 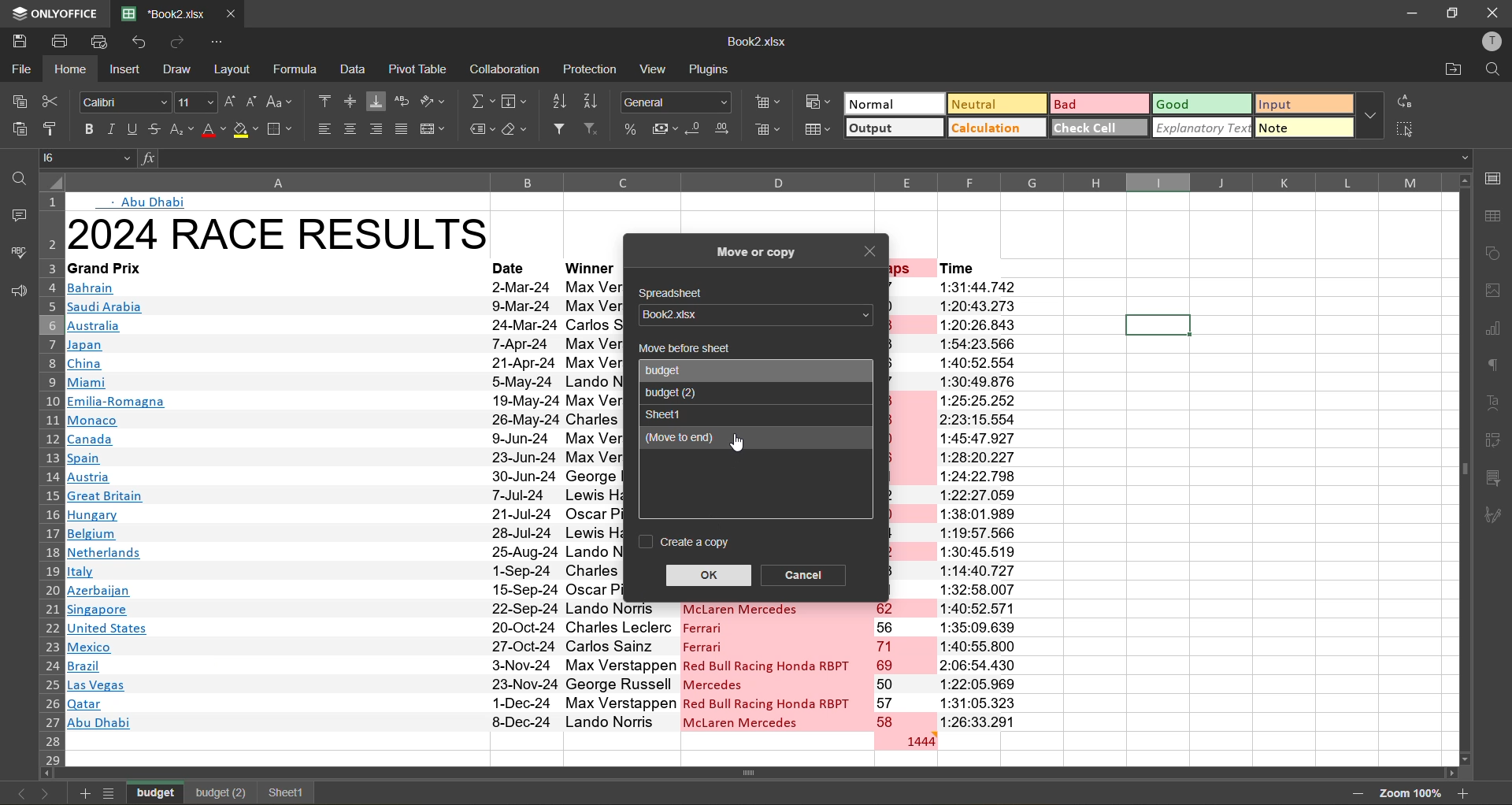 What do you see at coordinates (1495, 364) in the screenshot?
I see `paragraph` at bounding box center [1495, 364].